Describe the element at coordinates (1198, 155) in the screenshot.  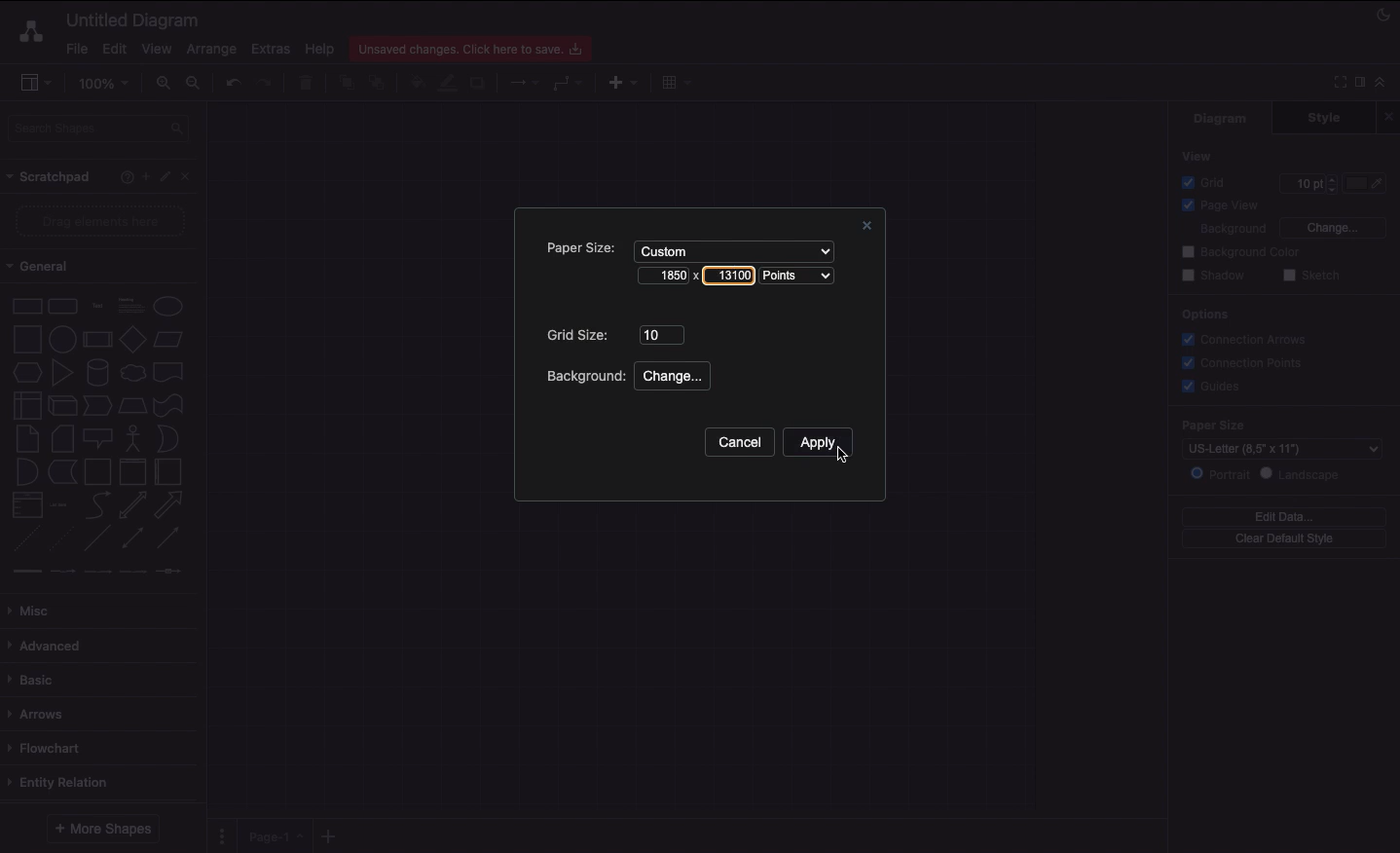
I see `View` at that location.